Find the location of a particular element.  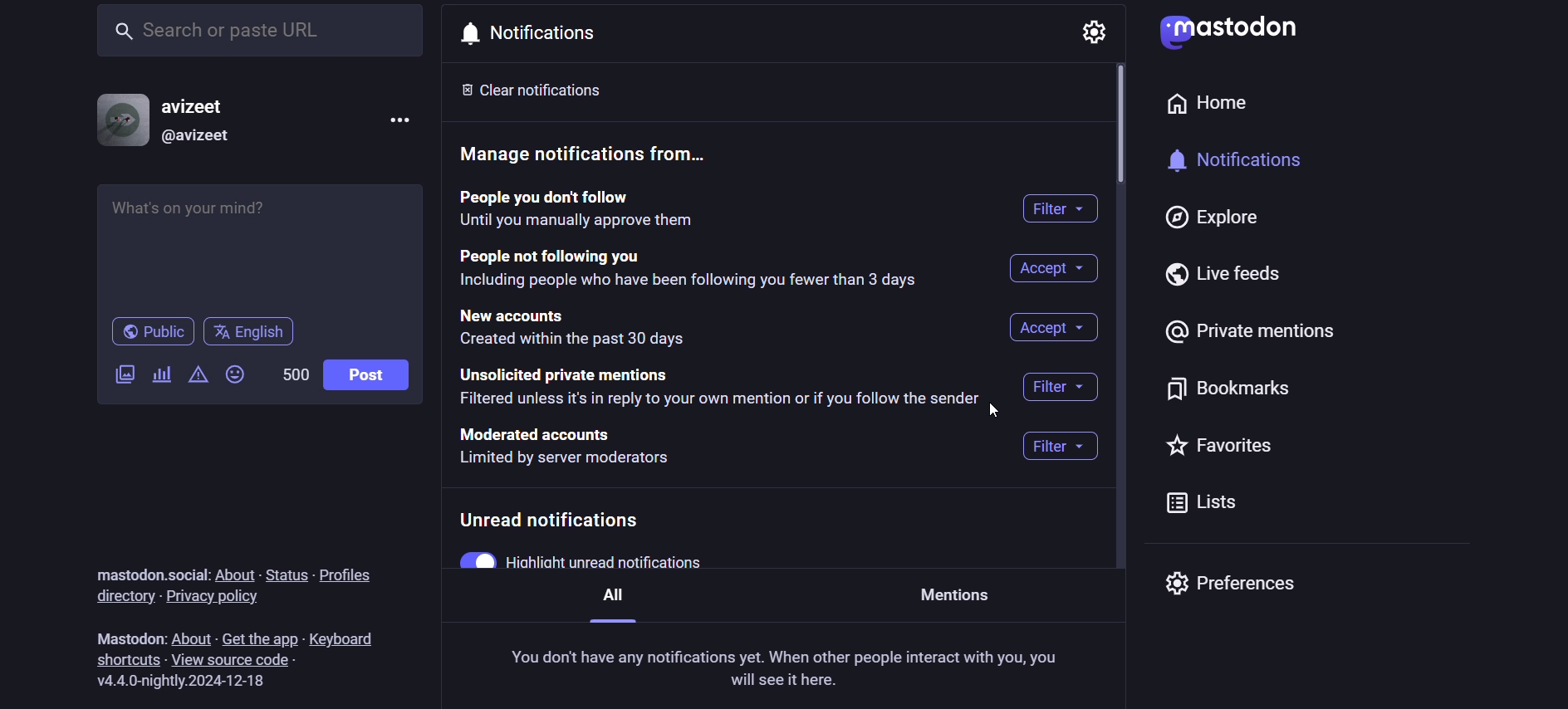

accept is located at coordinates (1051, 328).